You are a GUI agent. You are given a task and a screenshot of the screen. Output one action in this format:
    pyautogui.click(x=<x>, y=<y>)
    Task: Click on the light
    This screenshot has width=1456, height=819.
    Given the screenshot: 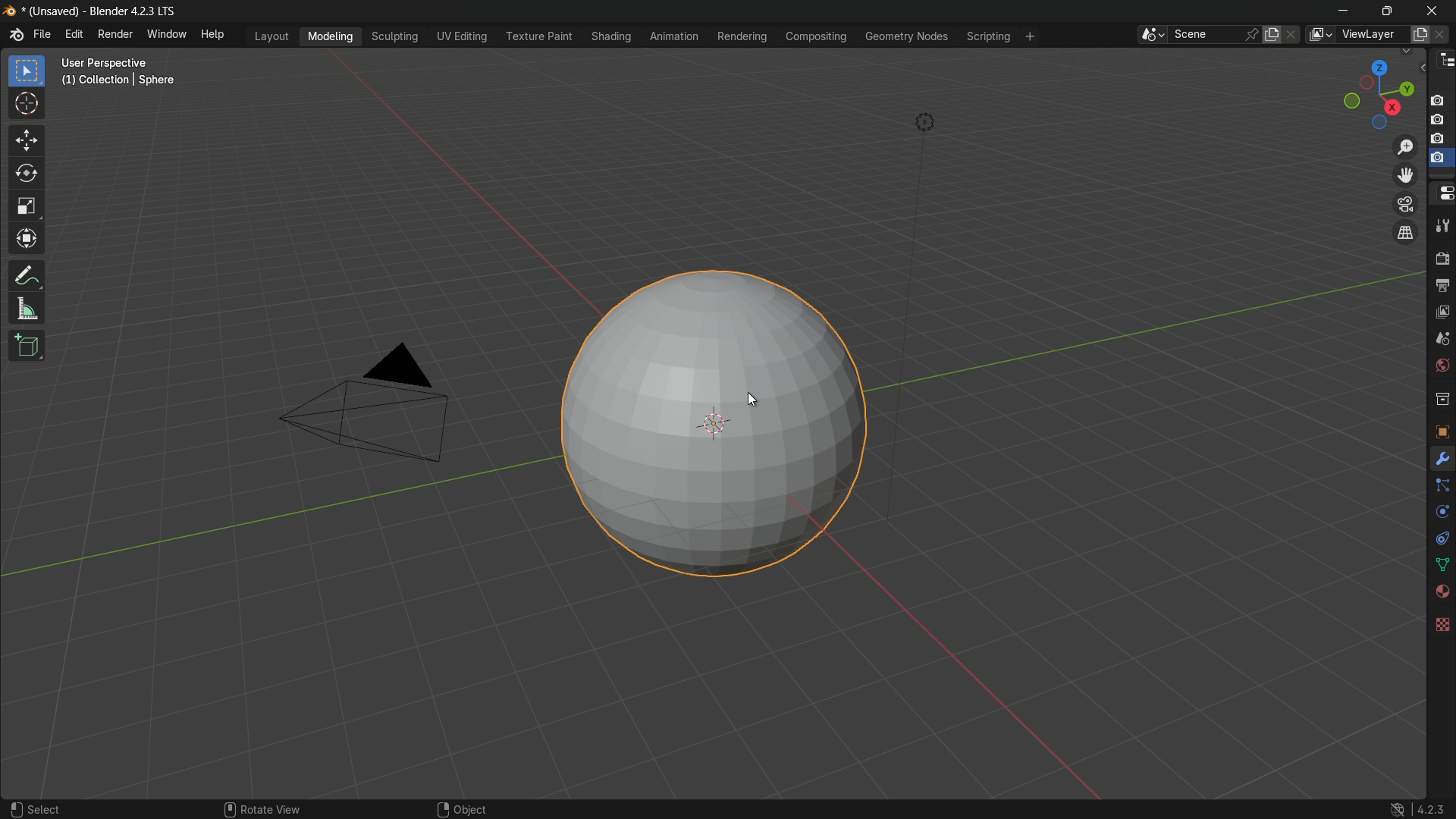 What is the action you would take?
    pyautogui.click(x=935, y=121)
    